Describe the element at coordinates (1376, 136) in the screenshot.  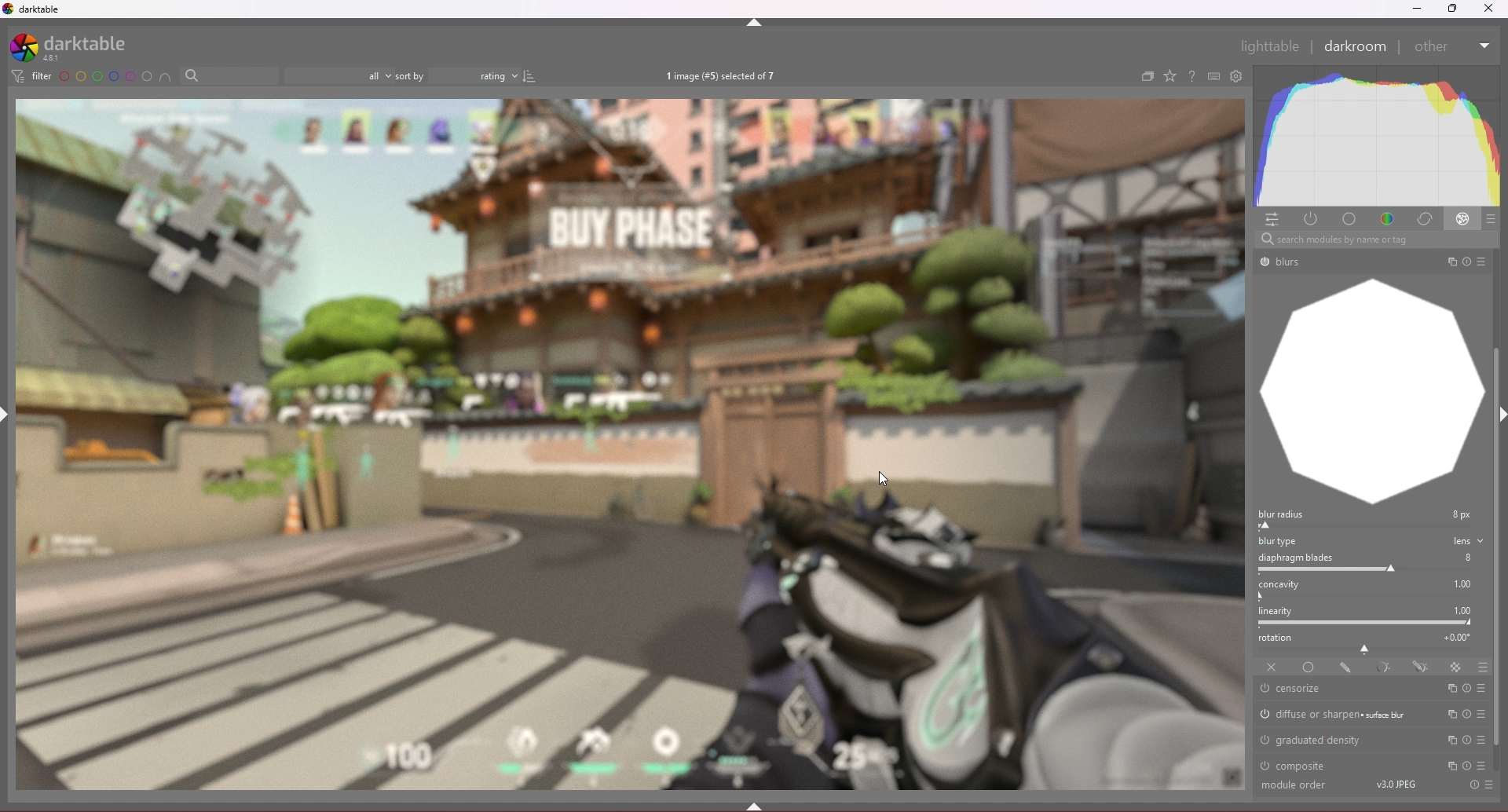
I see `heat graph` at that location.